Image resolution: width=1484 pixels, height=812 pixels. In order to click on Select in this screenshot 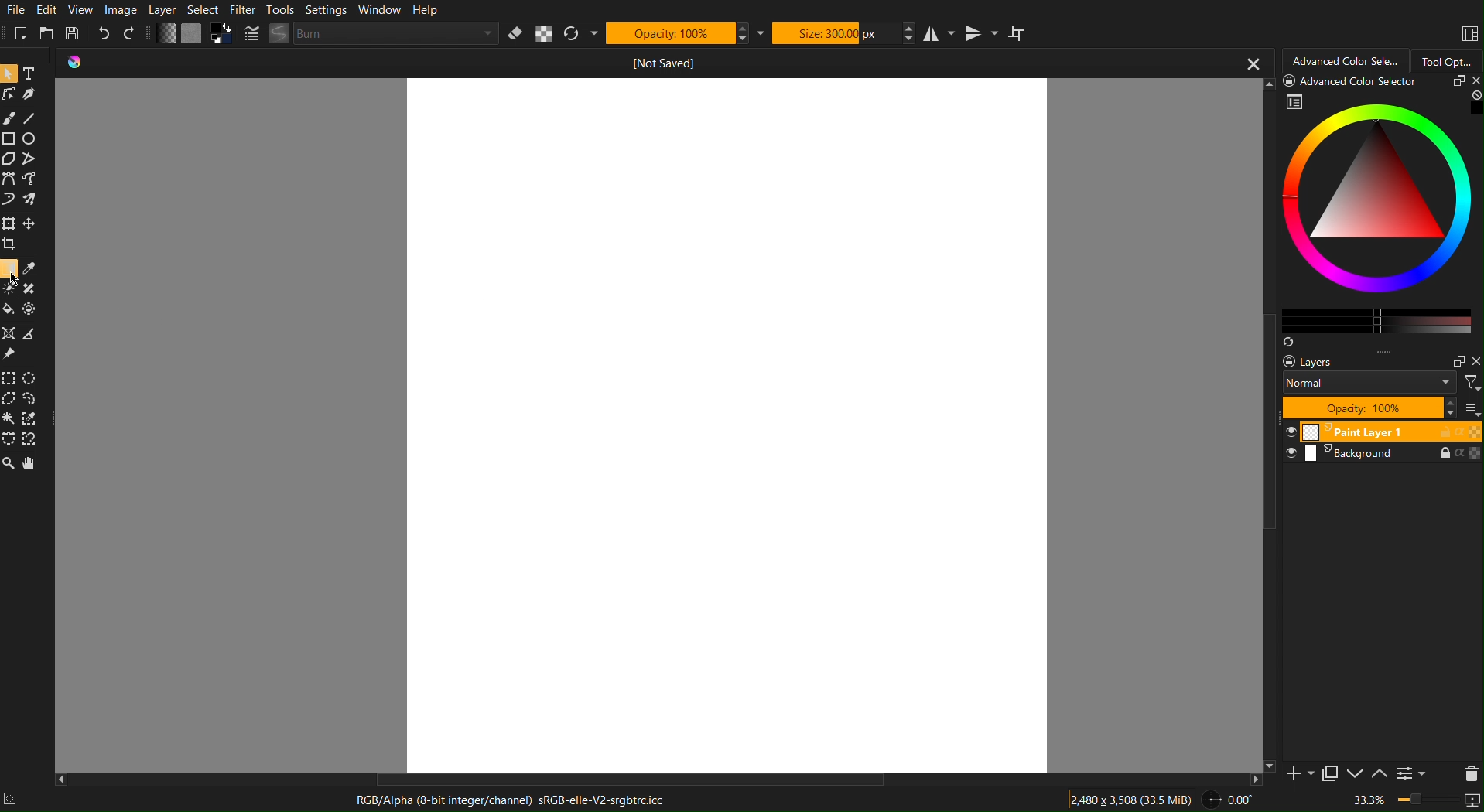, I will do `click(203, 10)`.